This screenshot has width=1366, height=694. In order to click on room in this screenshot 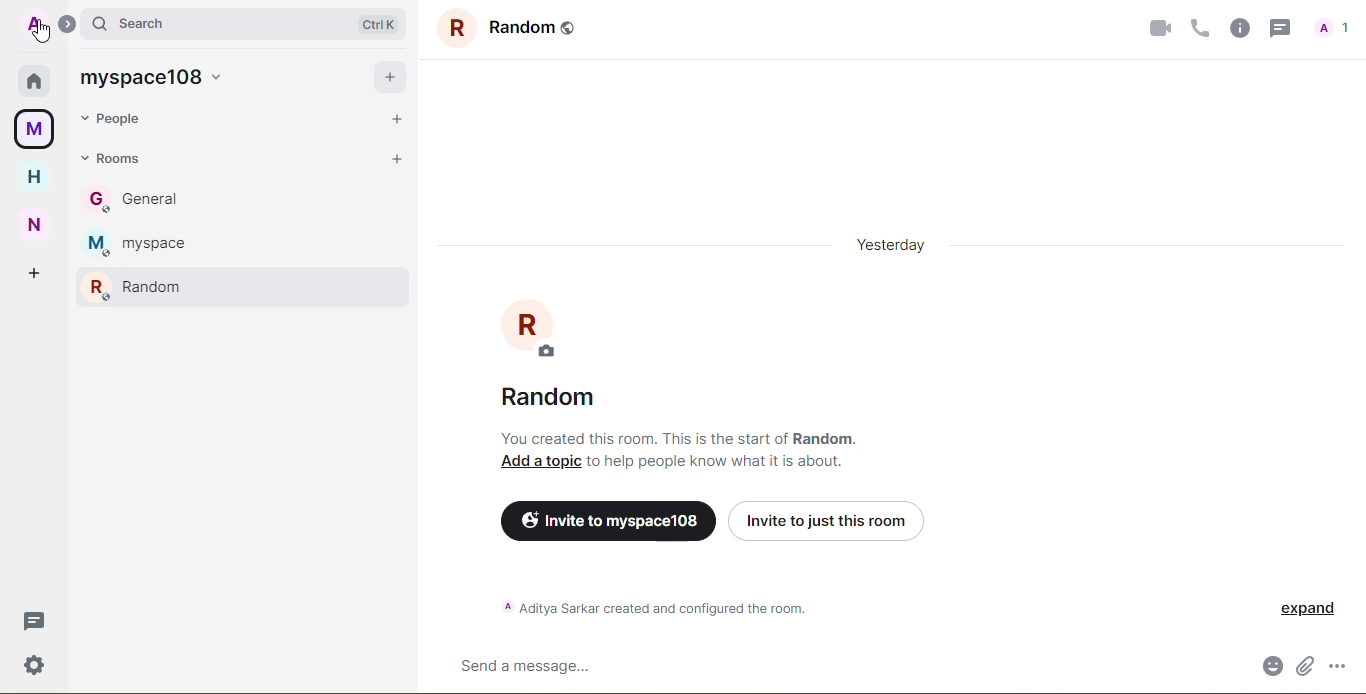, I will do `click(550, 398)`.